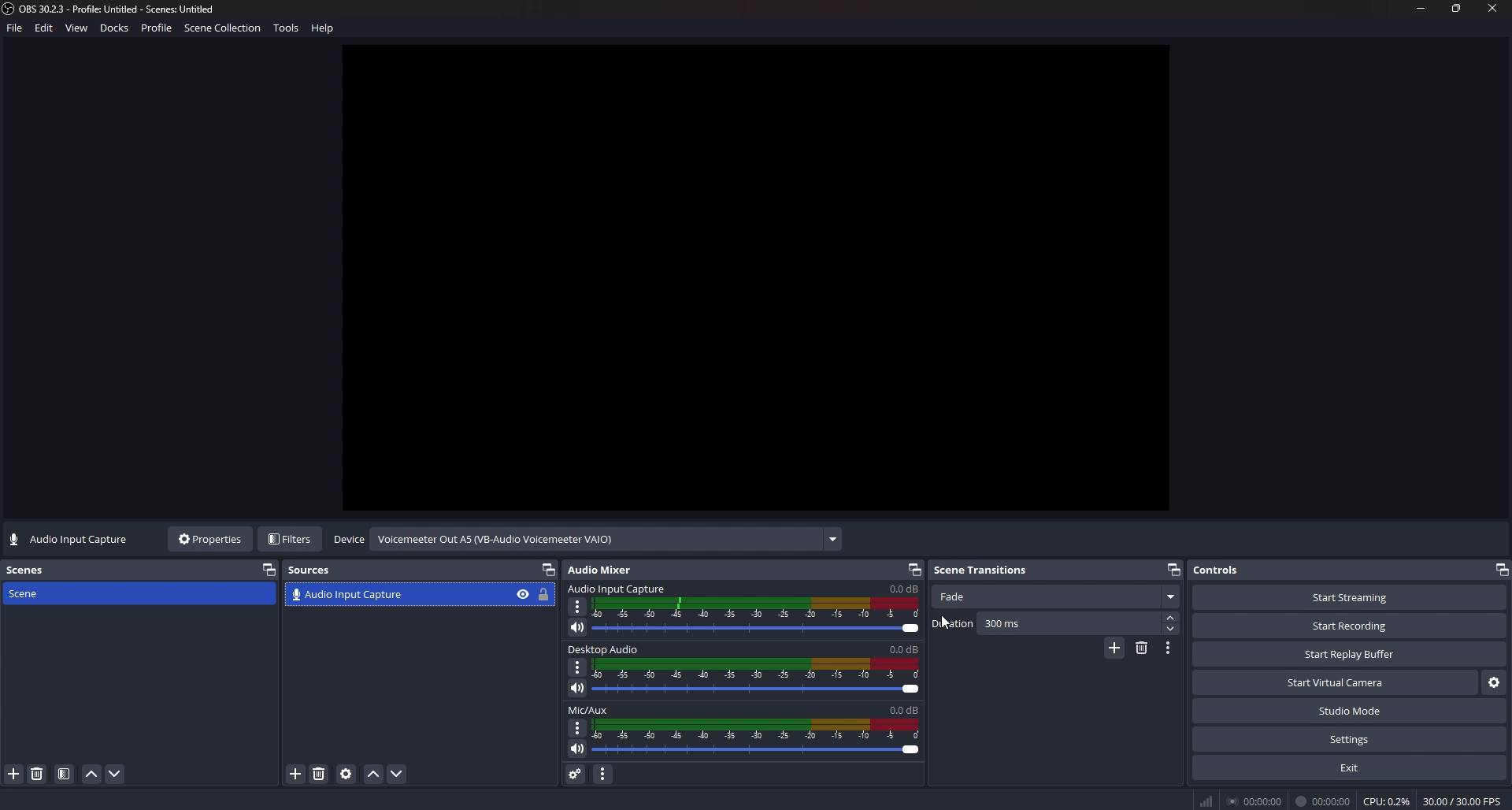 The width and height of the screenshot is (1512, 810). I want to click on move source down, so click(395, 775).